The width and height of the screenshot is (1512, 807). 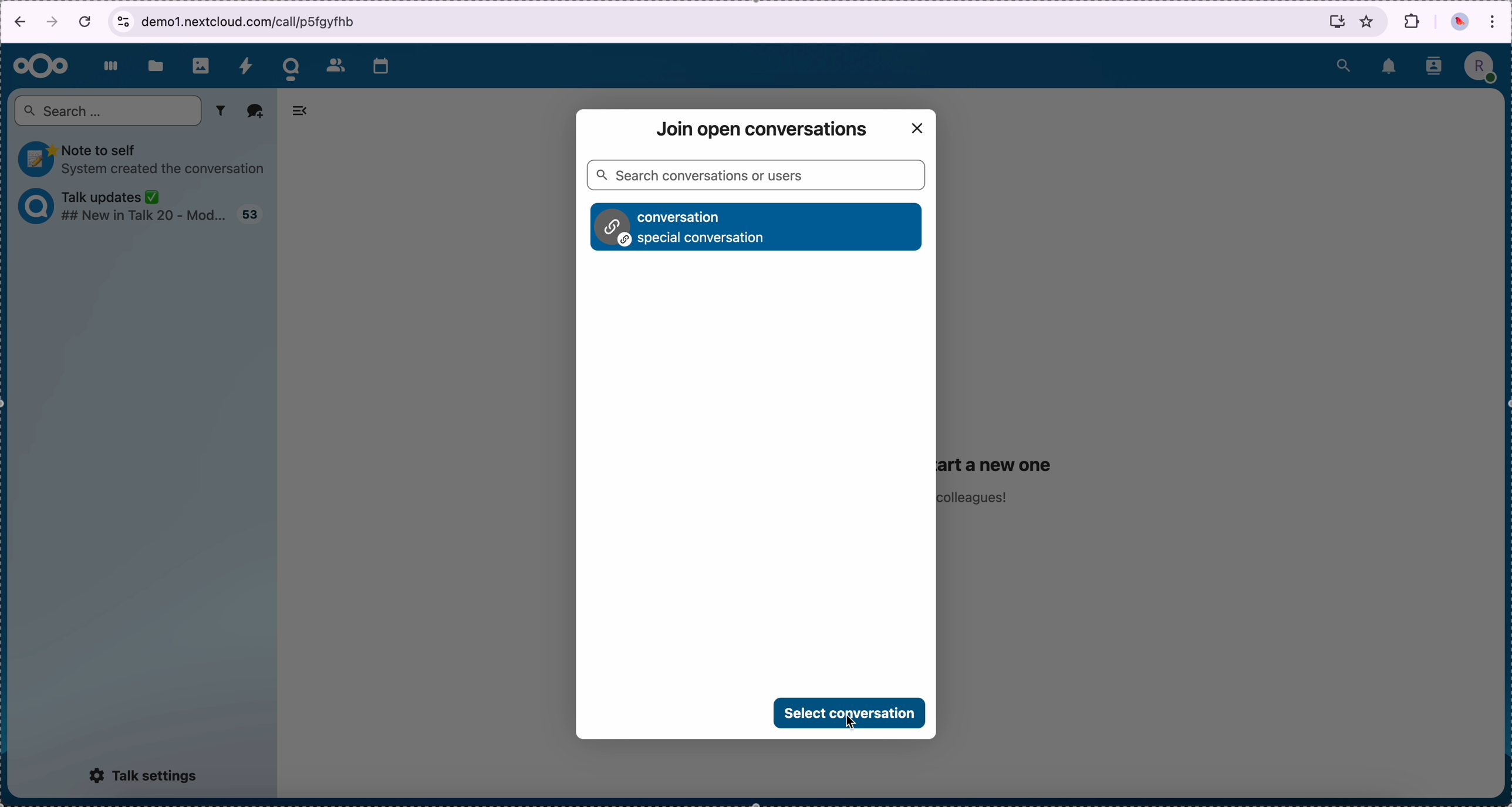 I want to click on contacts, so click(x=333, y=63).